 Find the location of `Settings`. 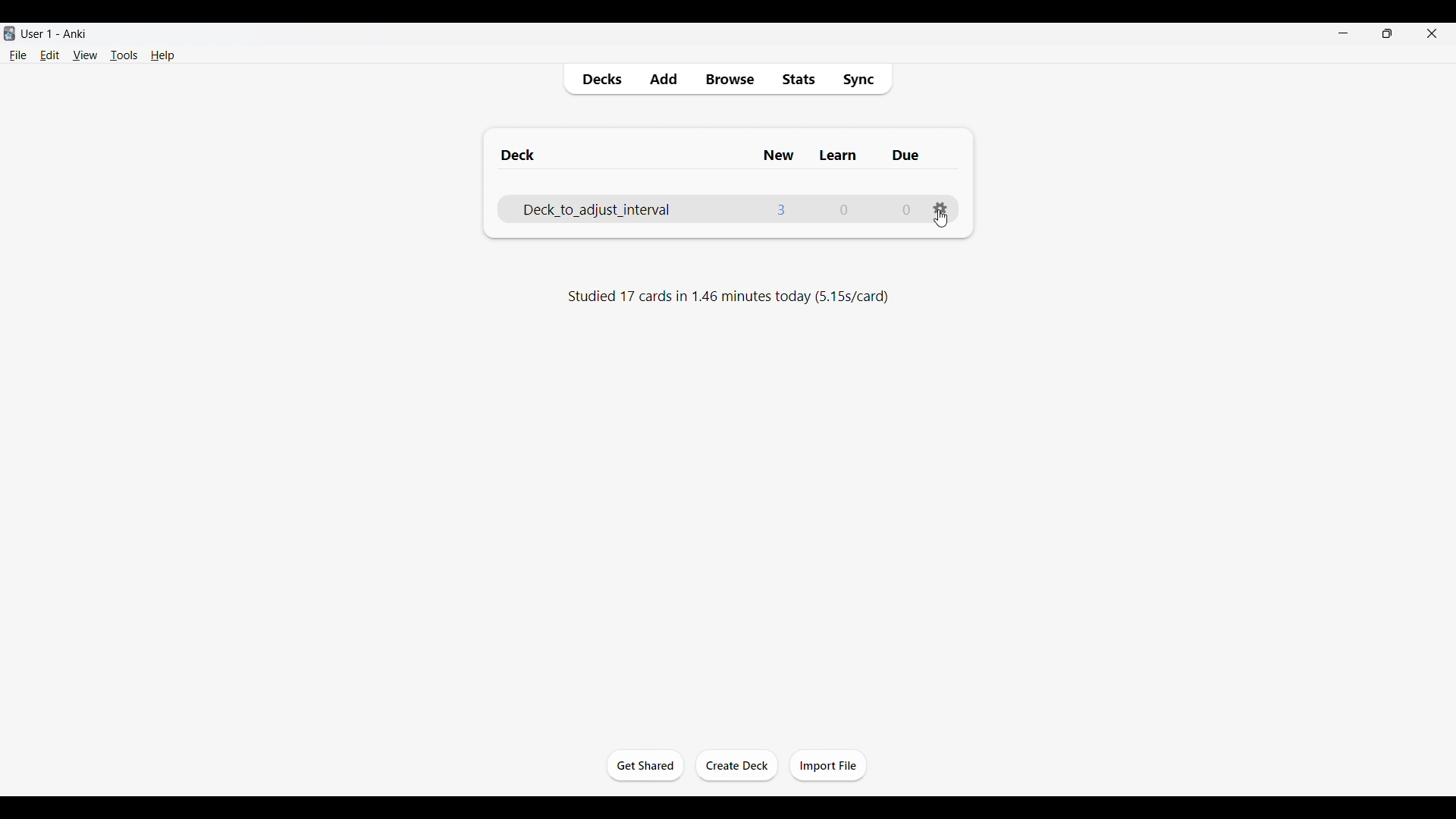

Settings is located at coordinates (940, 209).